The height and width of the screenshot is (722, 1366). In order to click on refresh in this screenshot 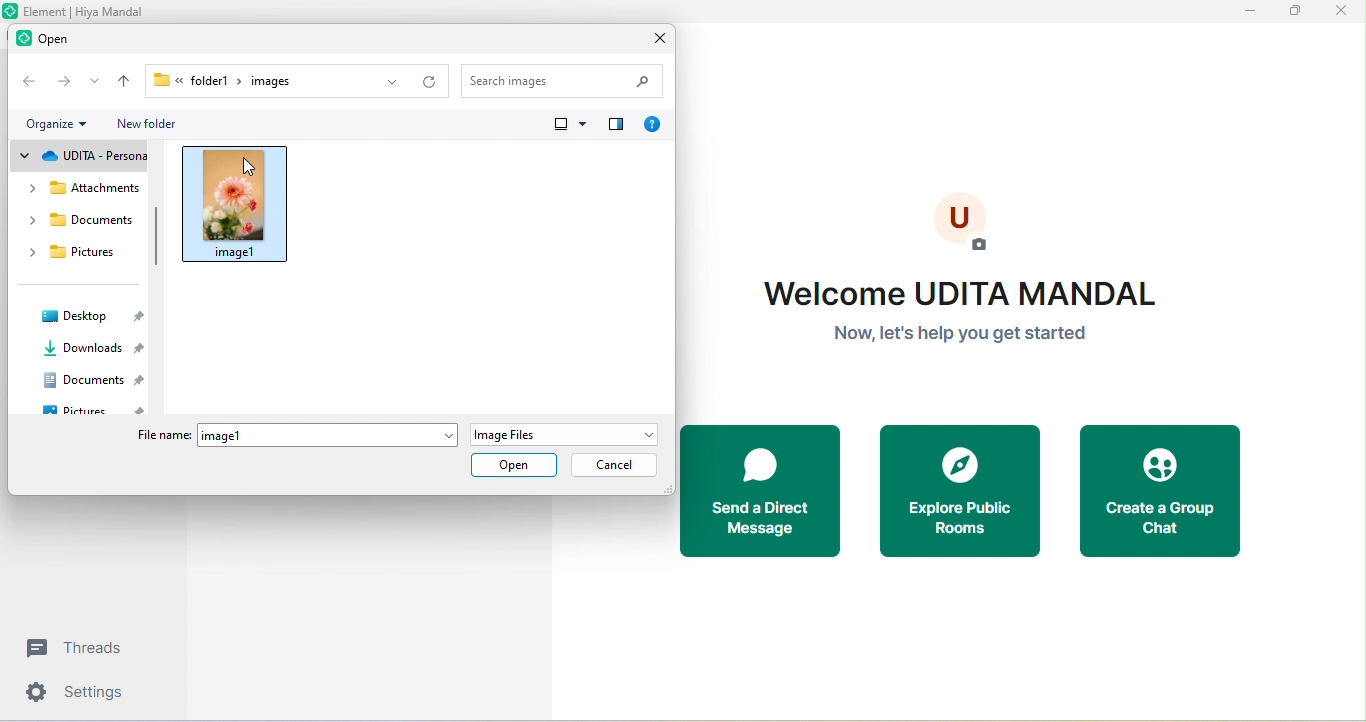, I will do `click(431, 76)`.